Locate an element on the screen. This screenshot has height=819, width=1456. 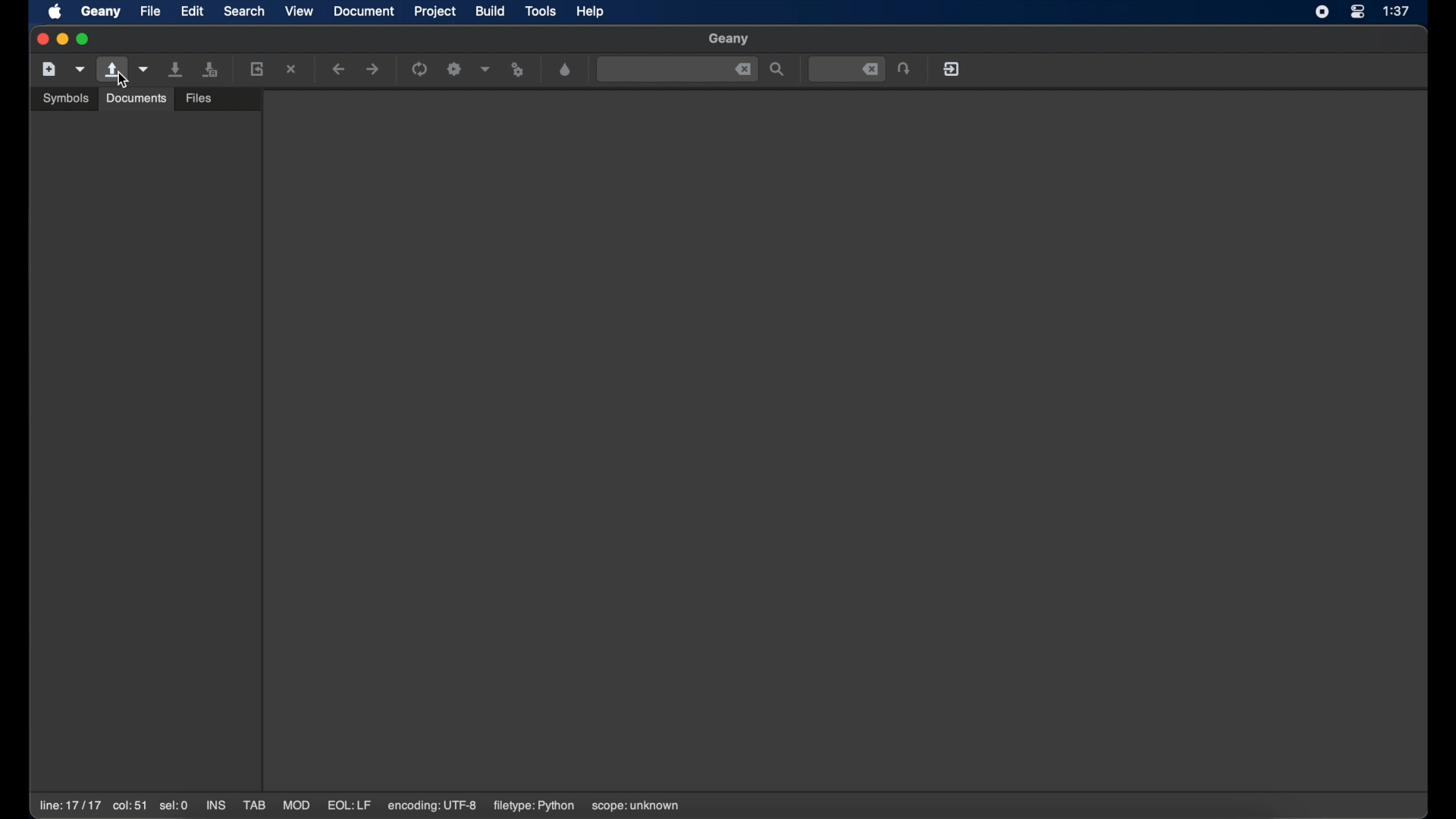
jump to the entered line number is located at coordinates (846, 68).